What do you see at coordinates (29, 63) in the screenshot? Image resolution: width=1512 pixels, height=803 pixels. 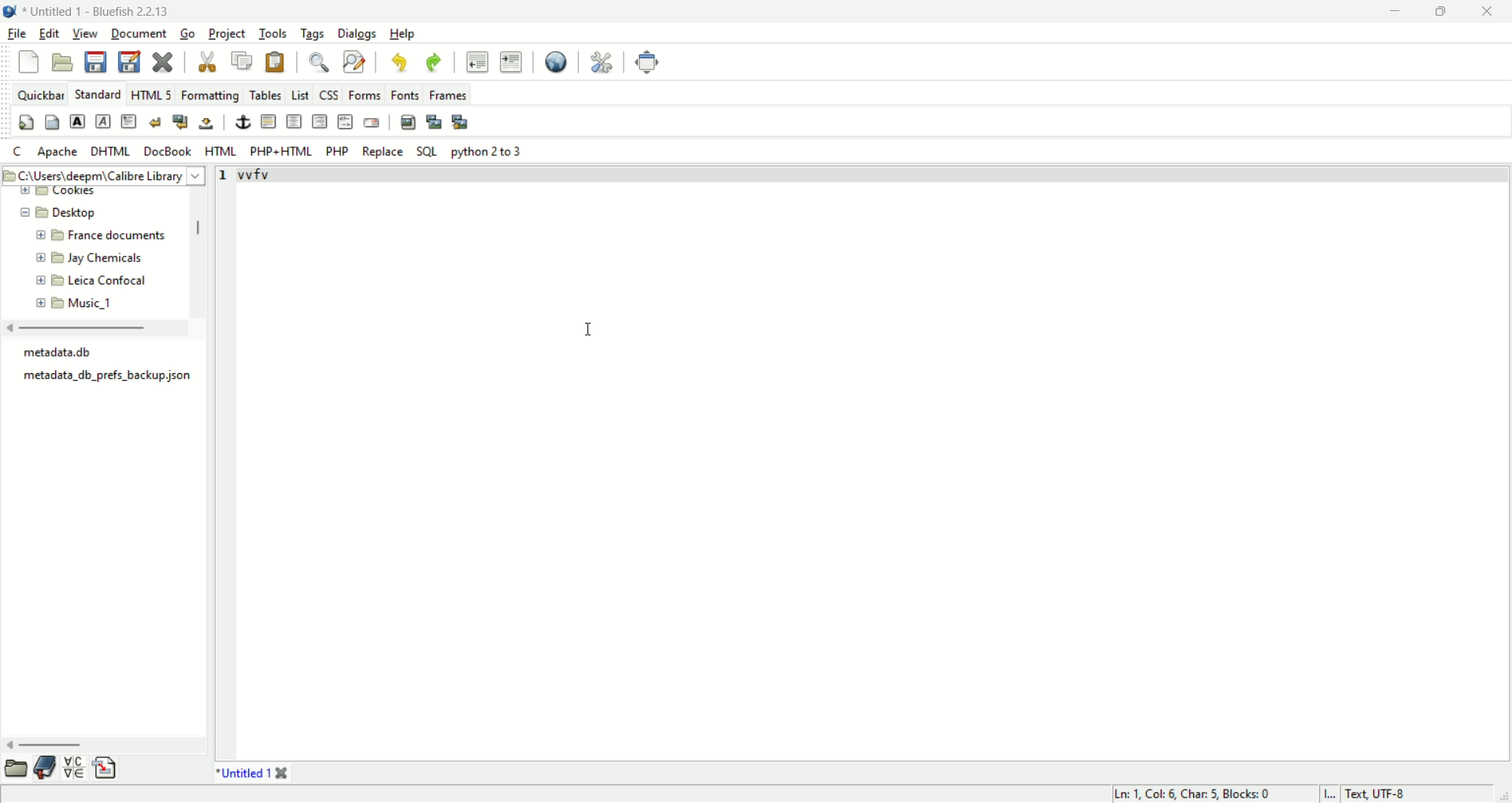 I see `new` at bounding box center [29, 63].